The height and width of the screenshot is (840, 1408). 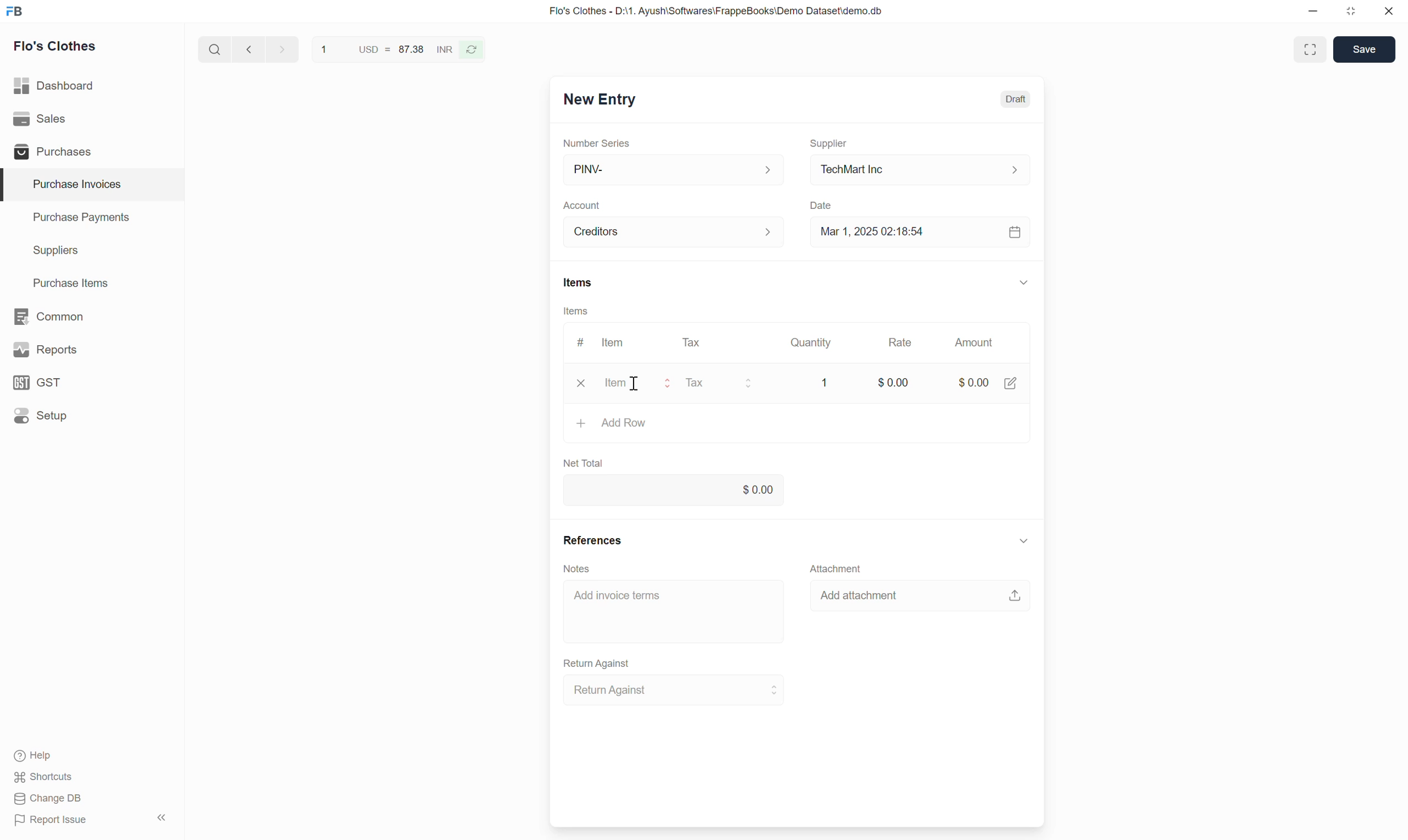 What do you see at coordinates (822, 206) in the screenshot?
I see `Date` at bounding box center [822, 206].